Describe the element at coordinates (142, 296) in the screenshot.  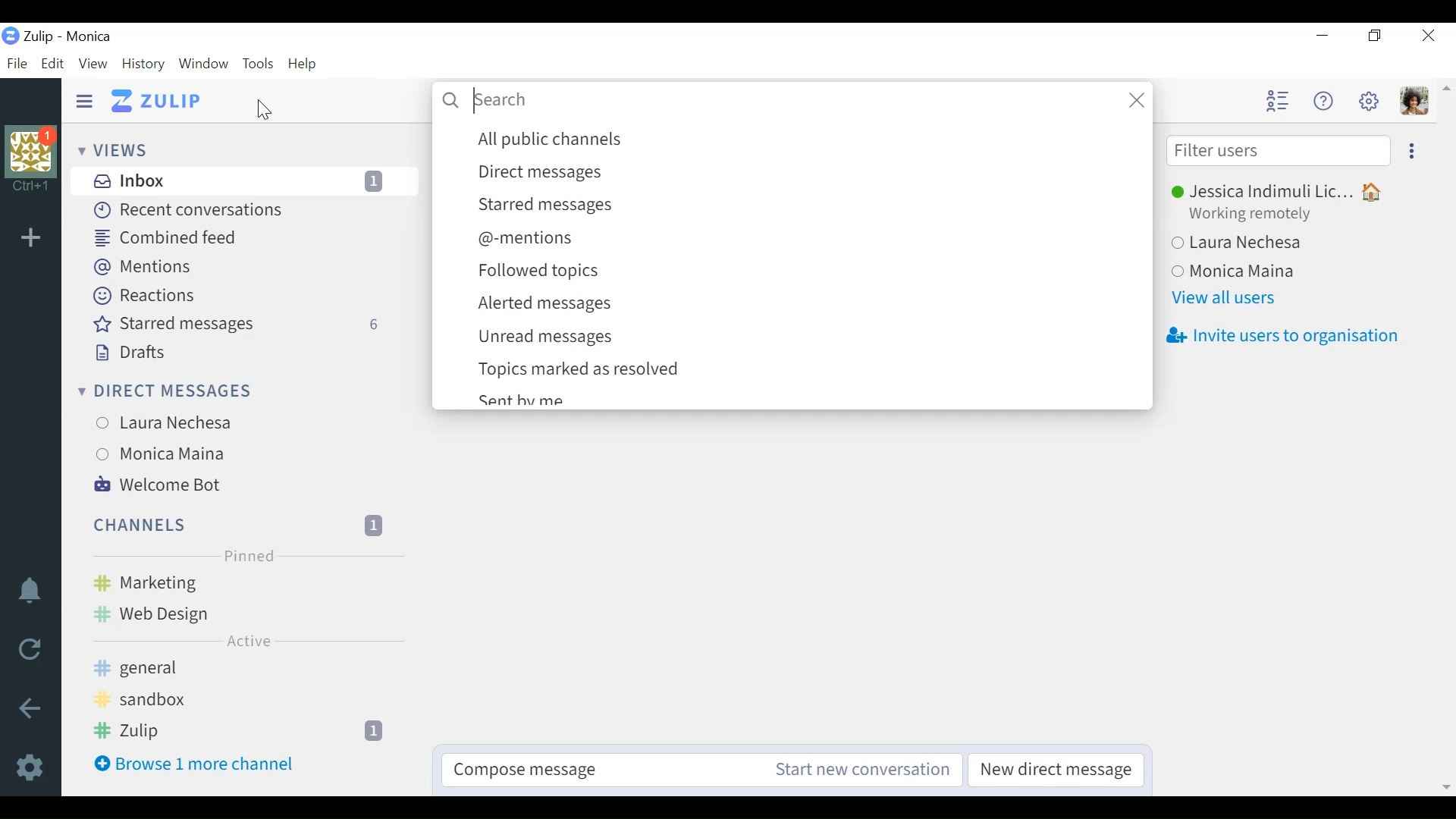
I see `Reactions` at that location.